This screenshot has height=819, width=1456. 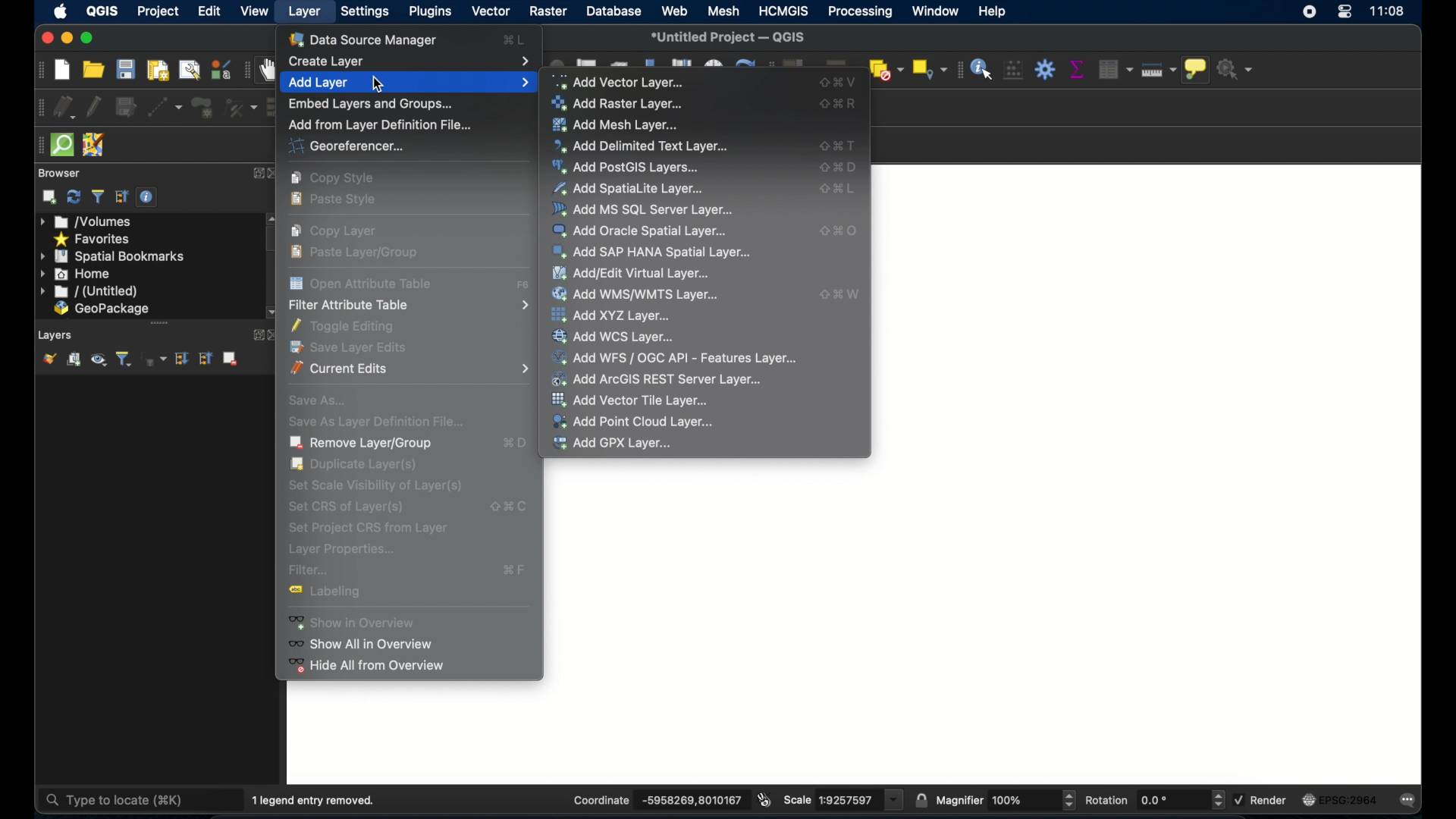 What do you see at coordinates (408, 306) in the screenshot?
I see `filter attribute table` at bounding box center [408, 306].